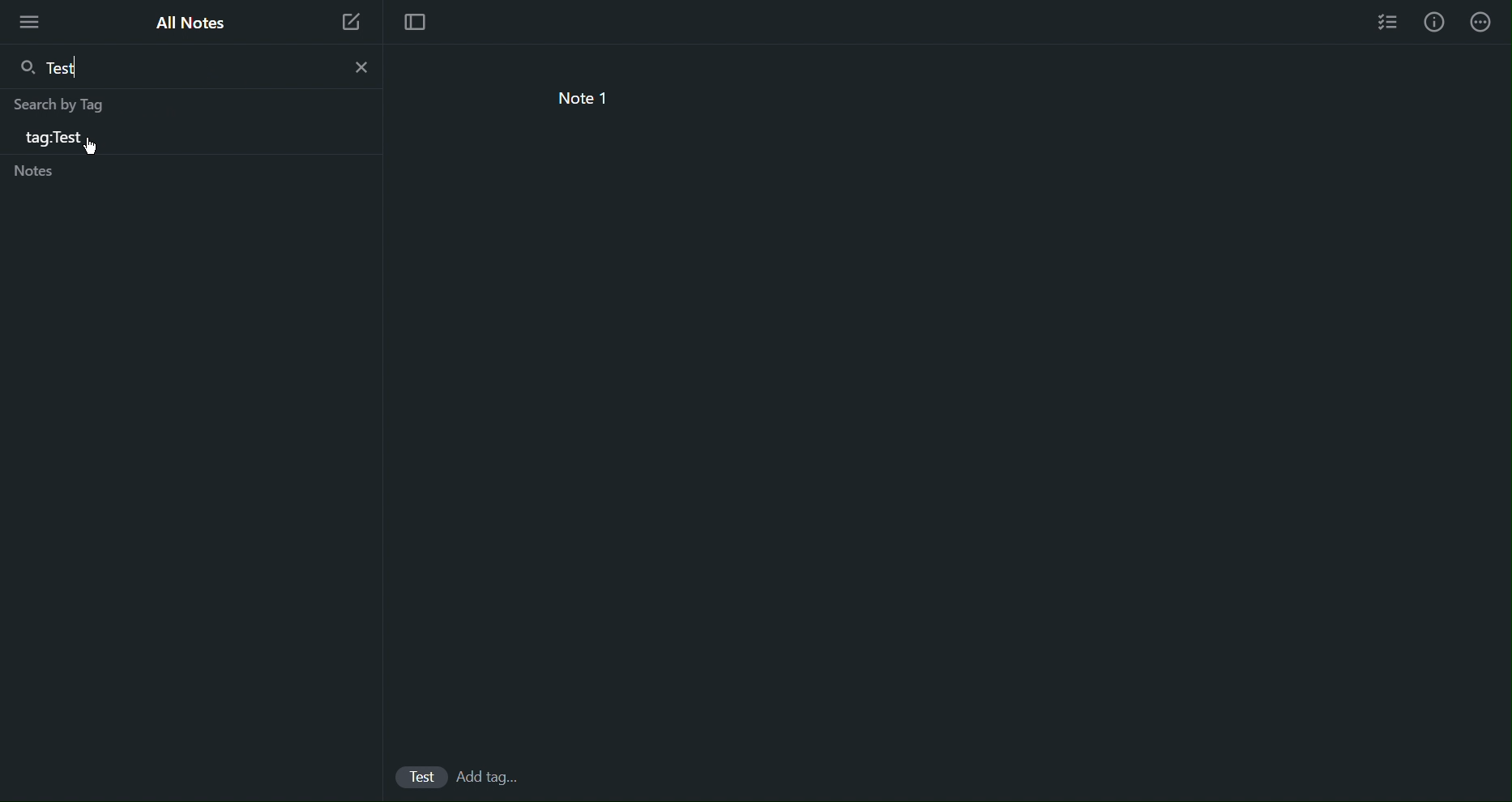 Image resolution: width=1512 pixels, height=802 pixels. Describe the element at coordinates (59, 106) in the screenshot. I see `Search by Tag` at that location.